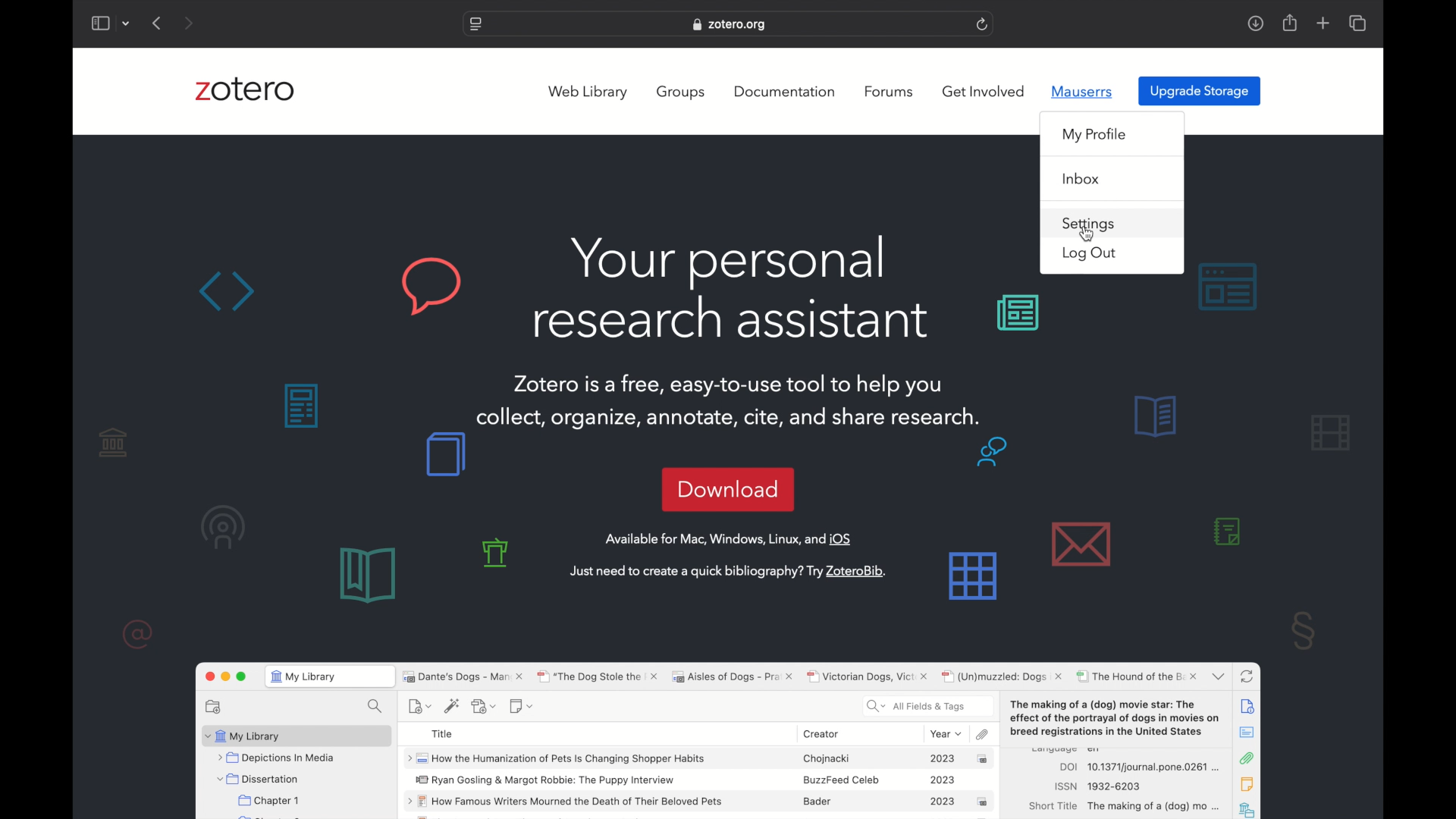 This screenshot has height=819, width=1456. What do you see at coordinates (1291, 24) in the screenshot?
I see `share` at bounding box center [1291, 24].